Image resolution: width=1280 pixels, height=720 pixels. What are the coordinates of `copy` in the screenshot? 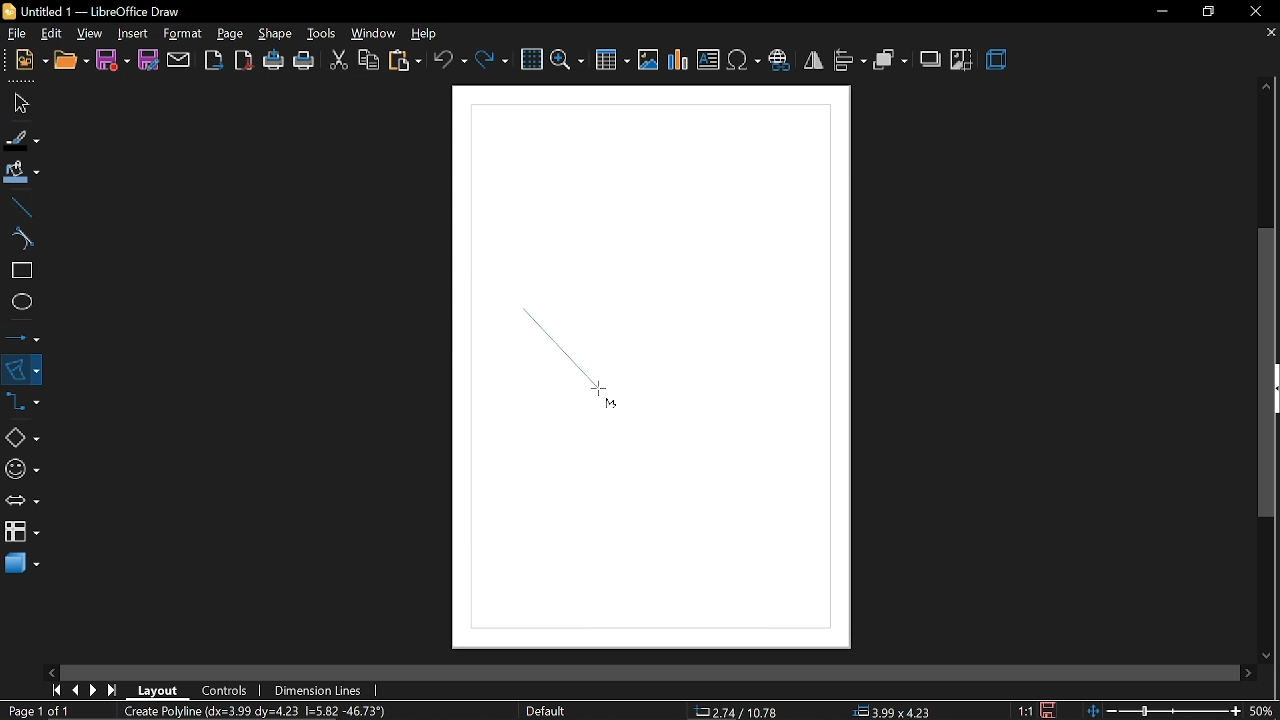 It's located at (366, 60).